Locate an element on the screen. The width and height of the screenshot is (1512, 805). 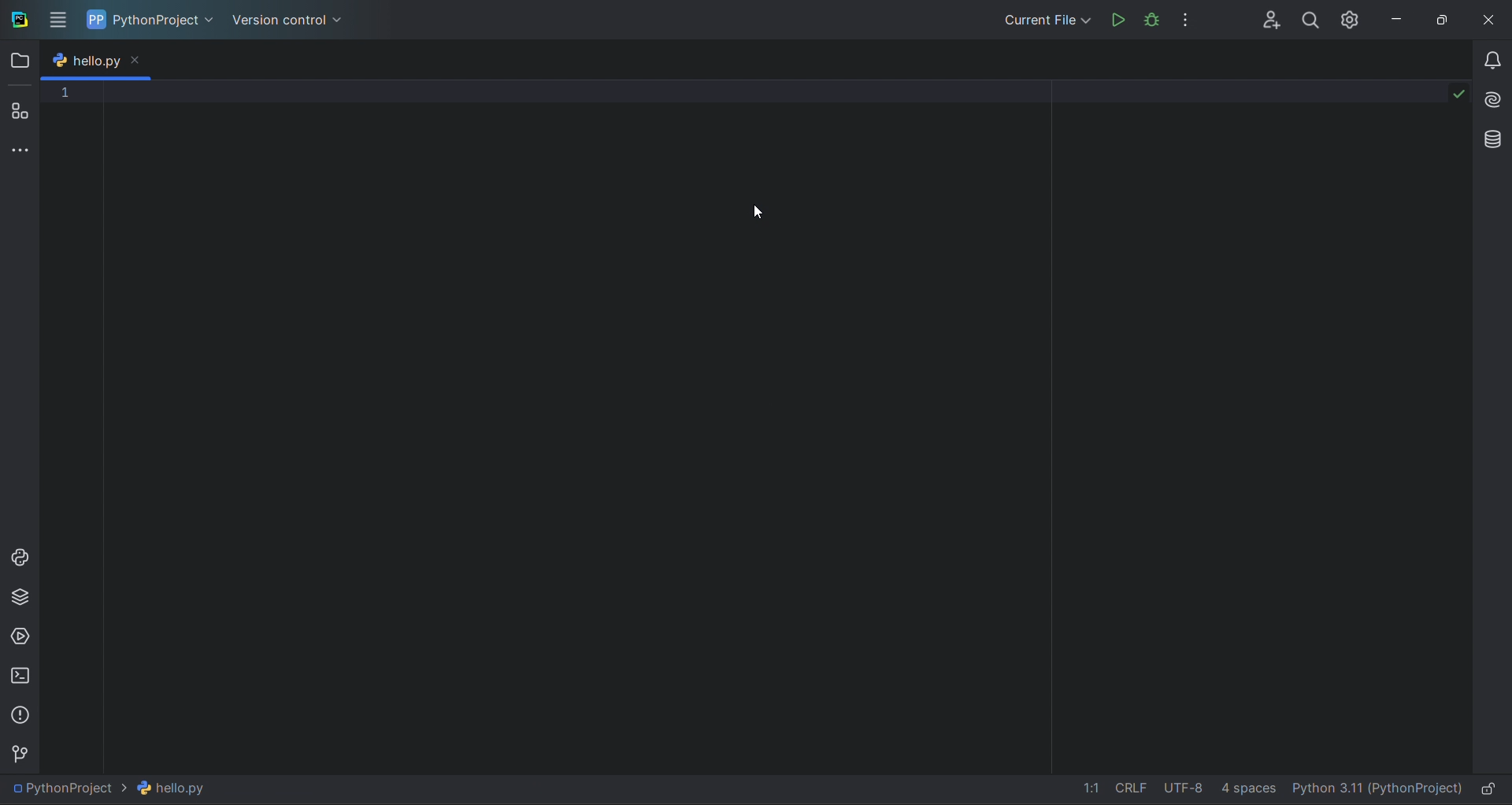
1:1 CRLF UTF-8 4 spaces is located at coordinates (1163, 789).